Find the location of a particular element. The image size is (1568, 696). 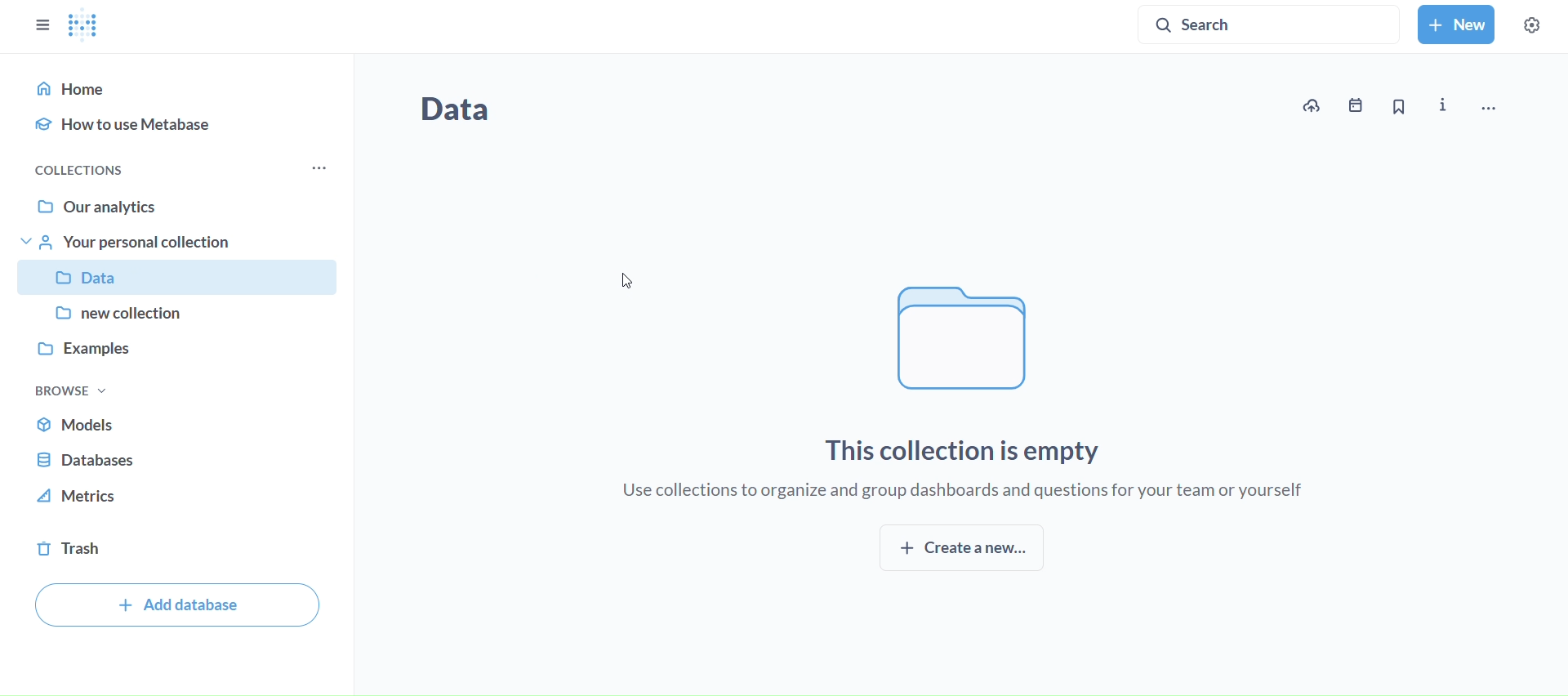

 Data is located at coordinates (185, 280).